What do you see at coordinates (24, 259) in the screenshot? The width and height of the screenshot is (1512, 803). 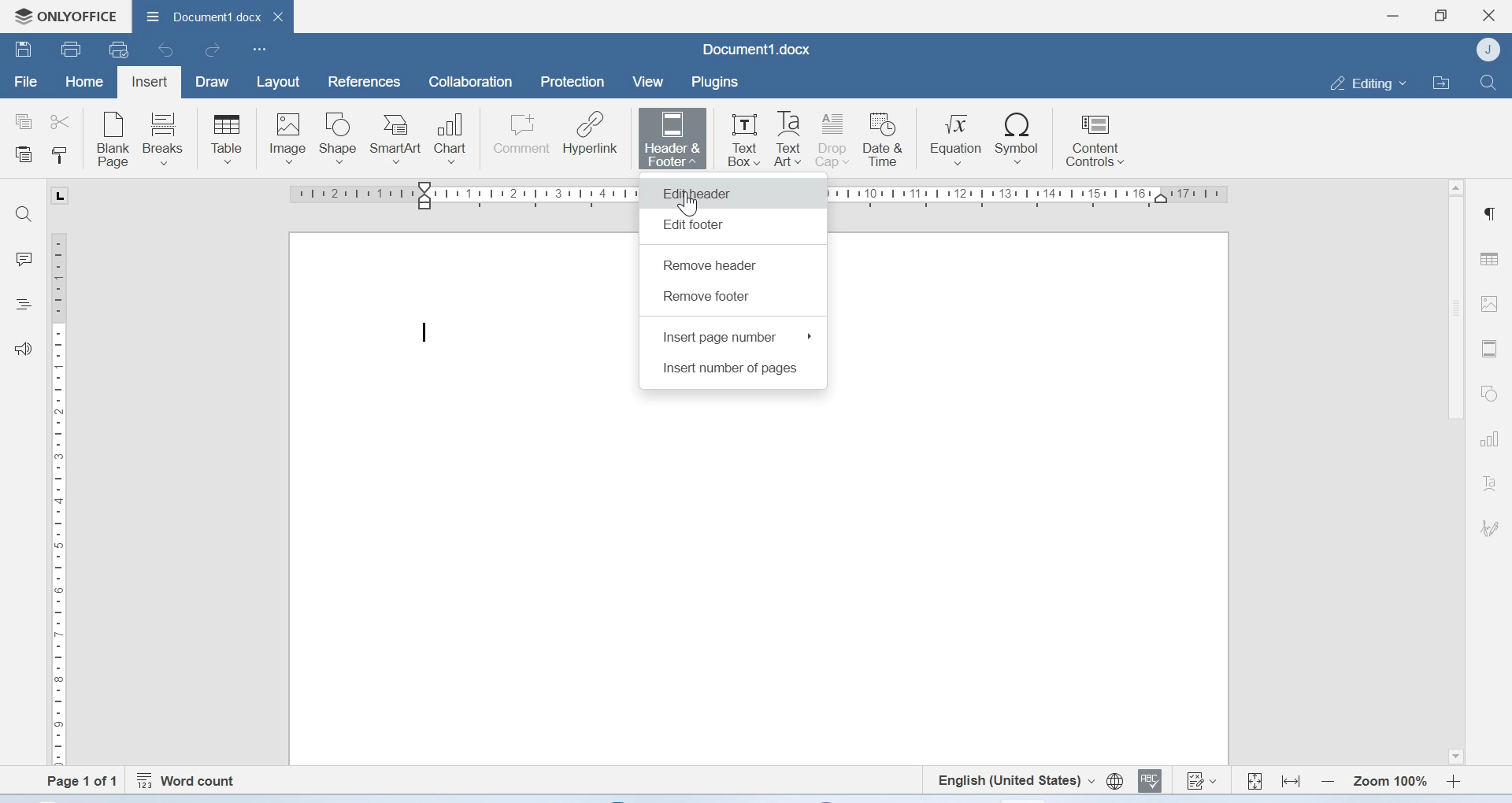 I see `Comments` at bounding box center [24, 259].